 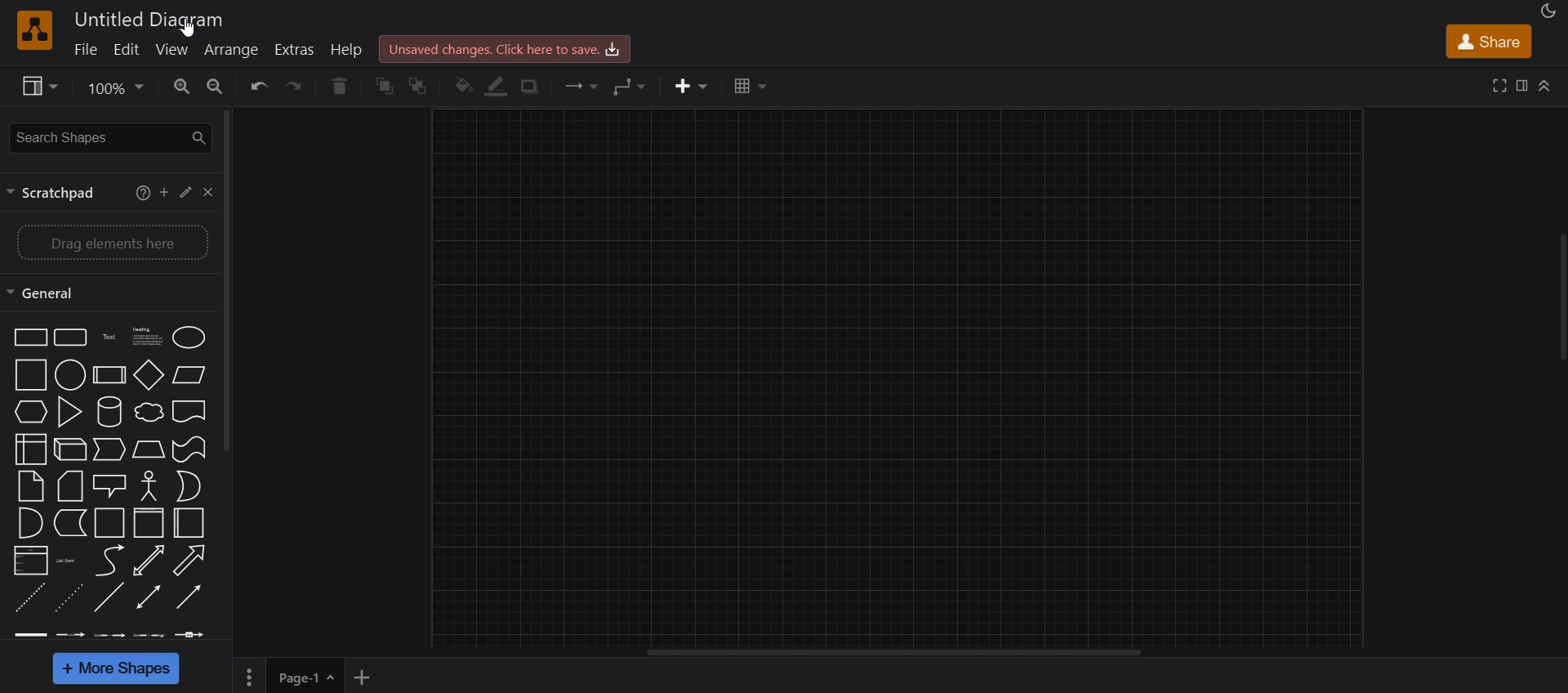 I want to click on line color, so click(x=497, y=86).